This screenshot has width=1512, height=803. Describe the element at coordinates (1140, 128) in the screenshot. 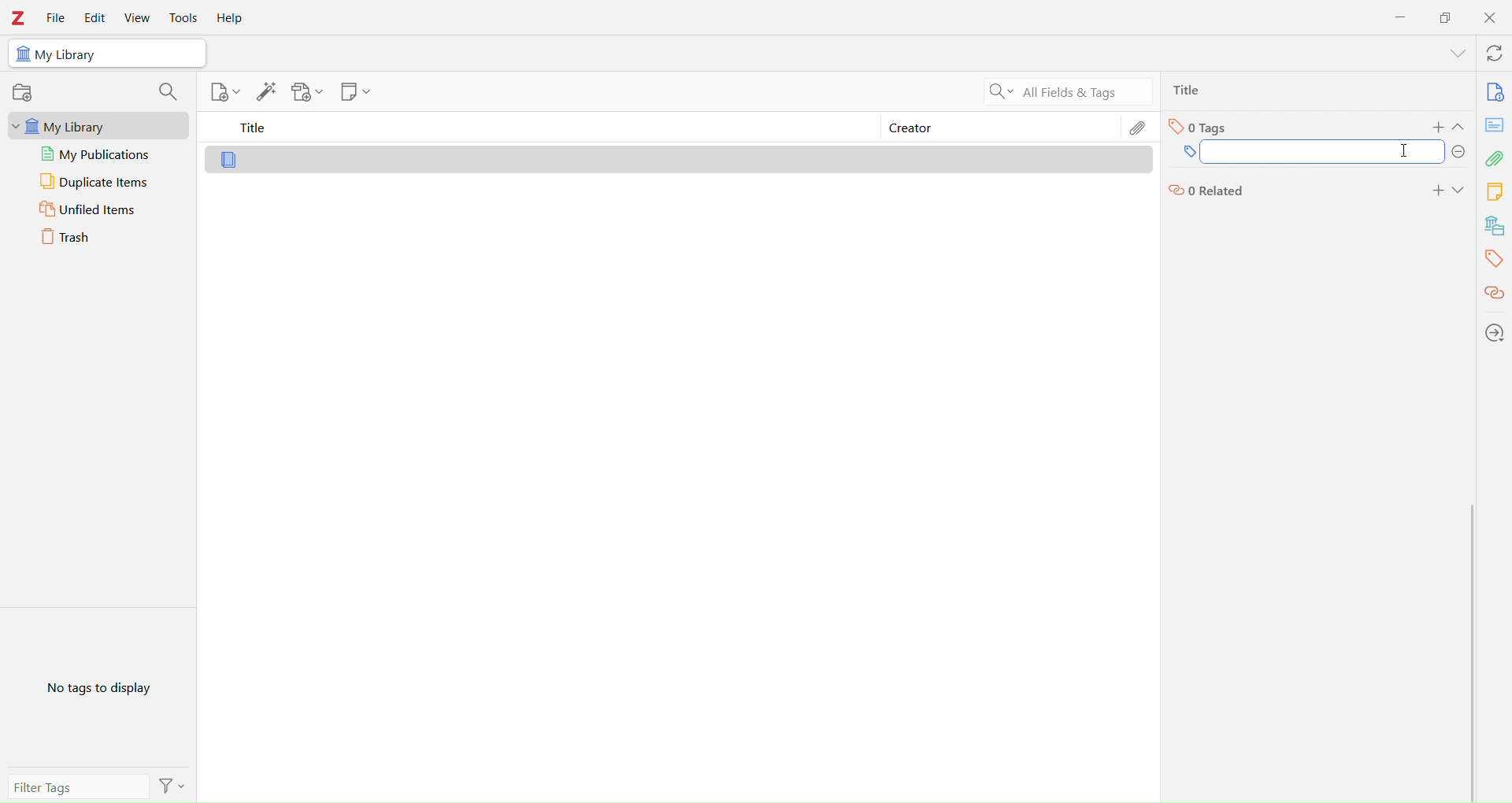

I see `Edit` at that location.